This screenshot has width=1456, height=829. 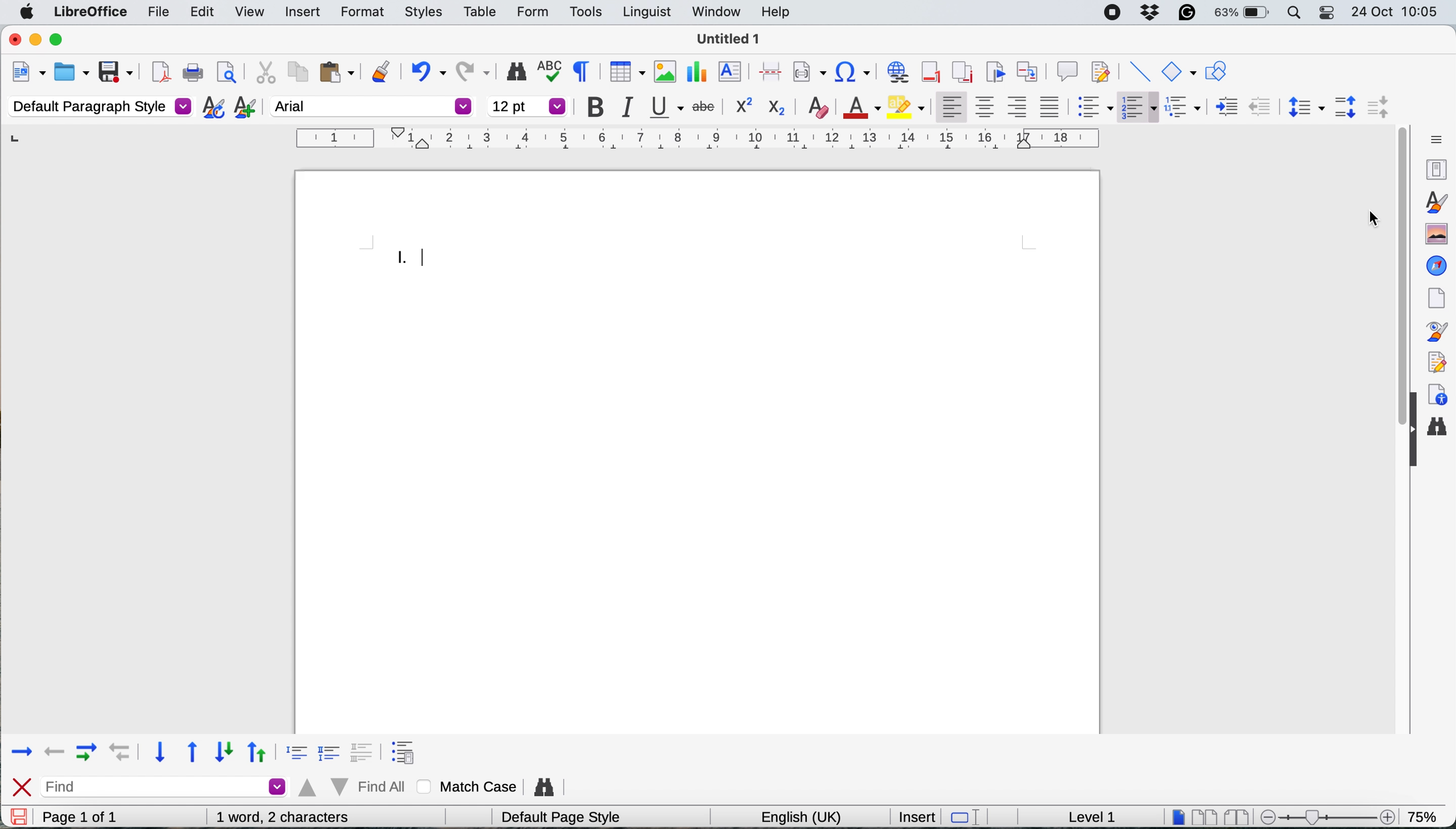 What do you see at coordinates (293, 750) in the screenshot?
I see `format 1` at bounding box center [293, 750].